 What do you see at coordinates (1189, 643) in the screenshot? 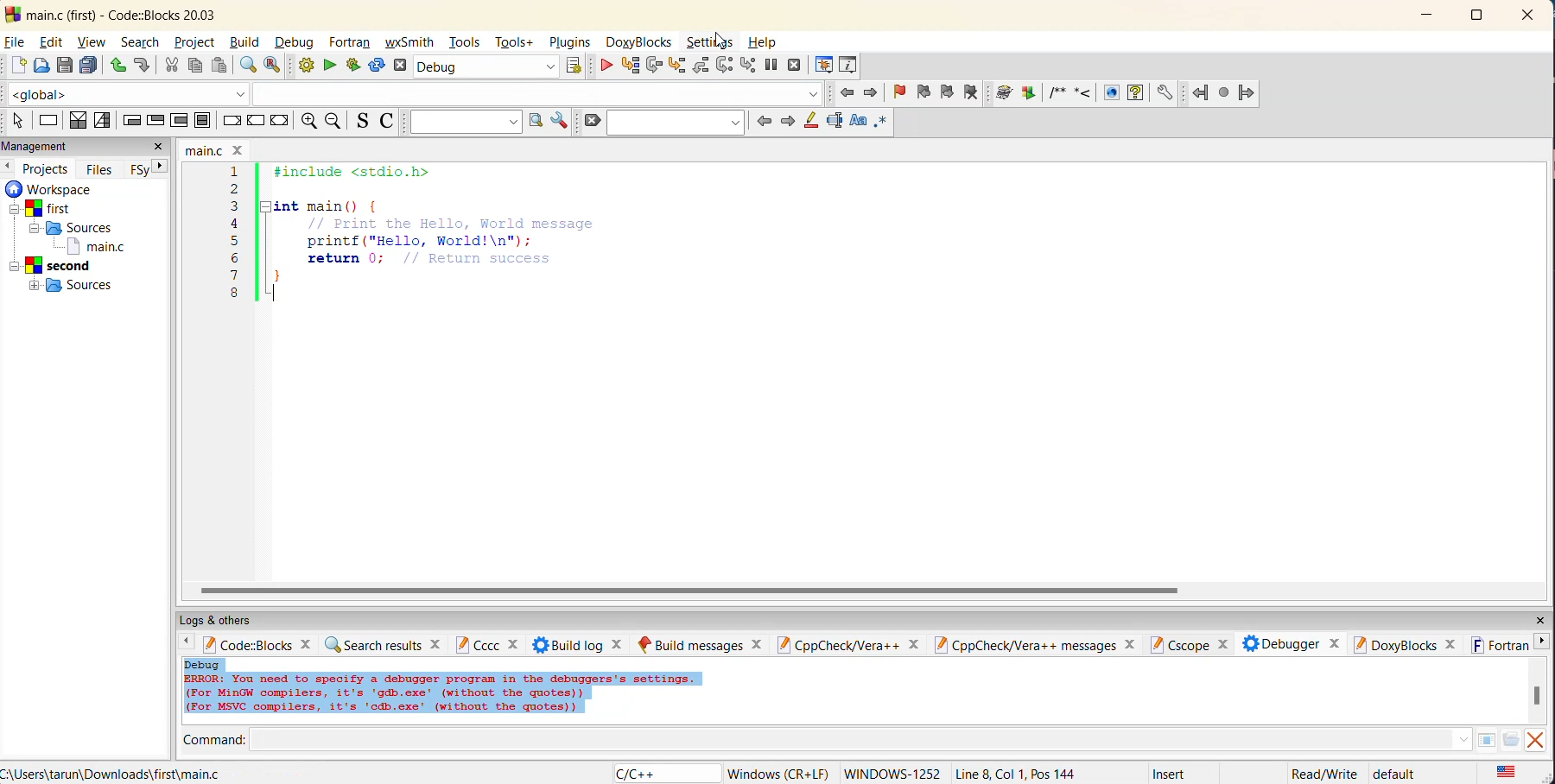
I see `cscope` at bounding box center [1189, 643].